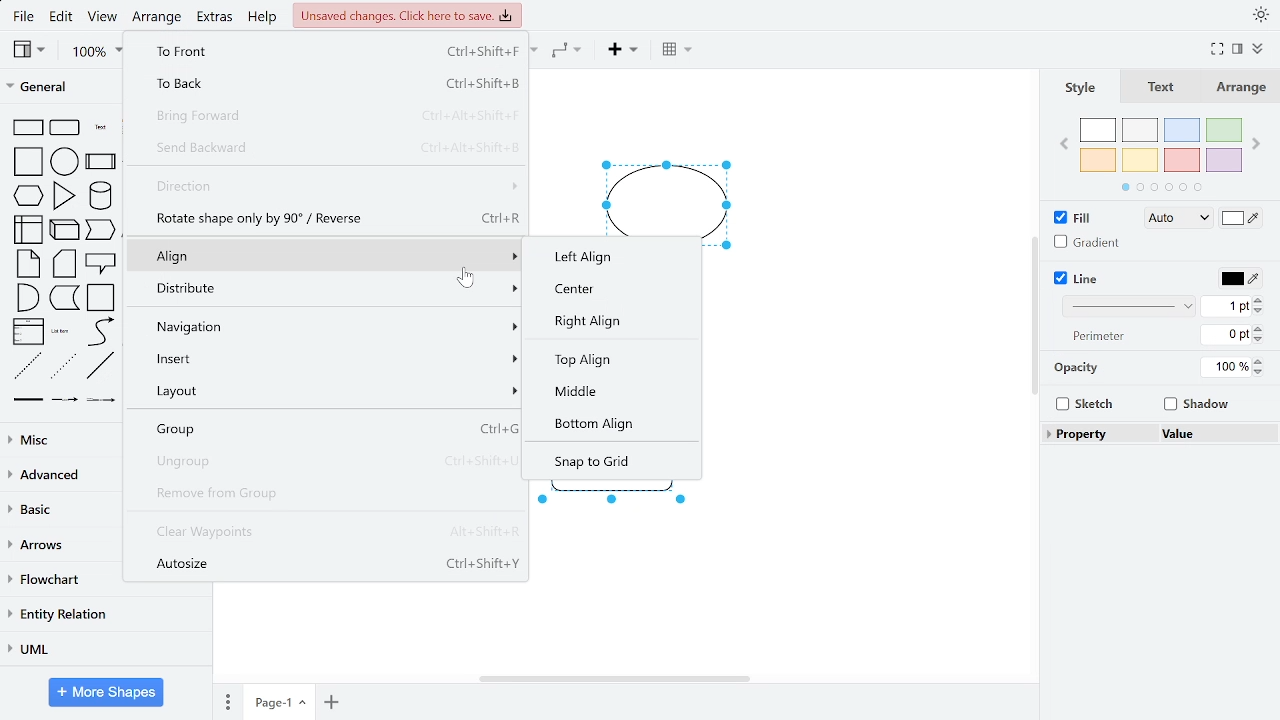  What do you see at coordinates (330, 563) in the screenshot?
I see `Autosize` at bounding box center [330, 563].